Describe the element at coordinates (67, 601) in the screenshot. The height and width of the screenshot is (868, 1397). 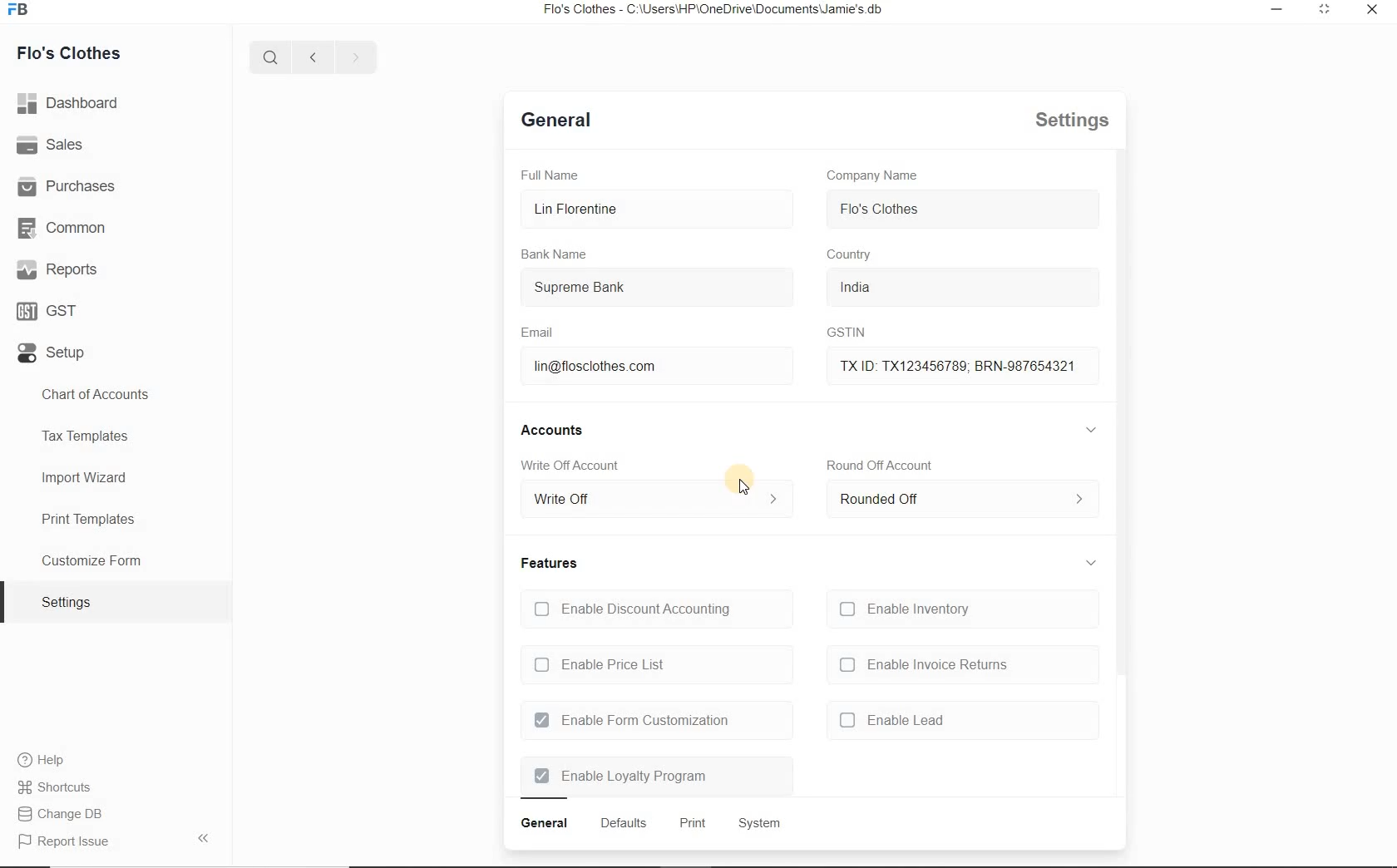
I see `settings` at that location.